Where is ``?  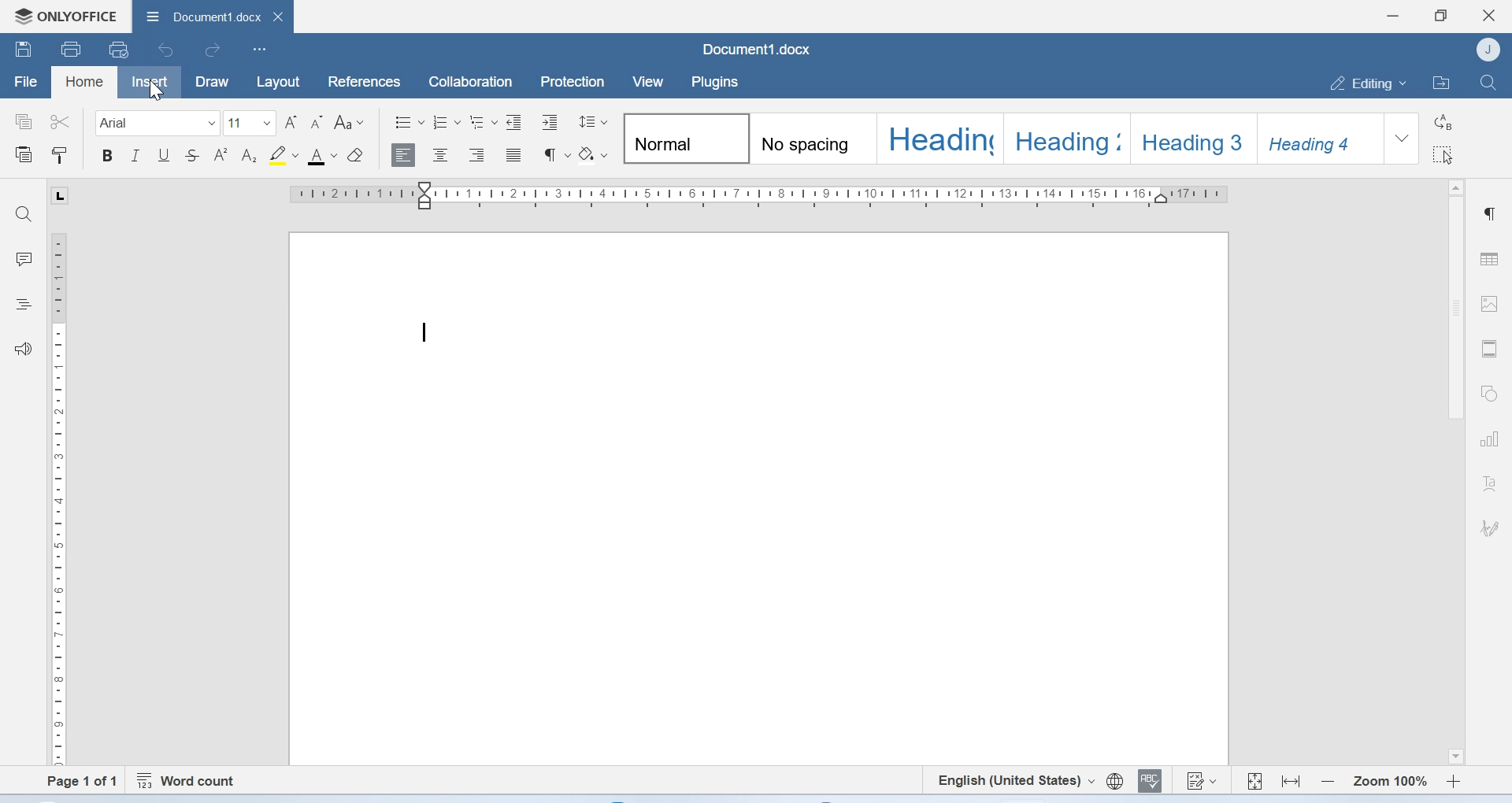
 is located at coordinates (350, 121).